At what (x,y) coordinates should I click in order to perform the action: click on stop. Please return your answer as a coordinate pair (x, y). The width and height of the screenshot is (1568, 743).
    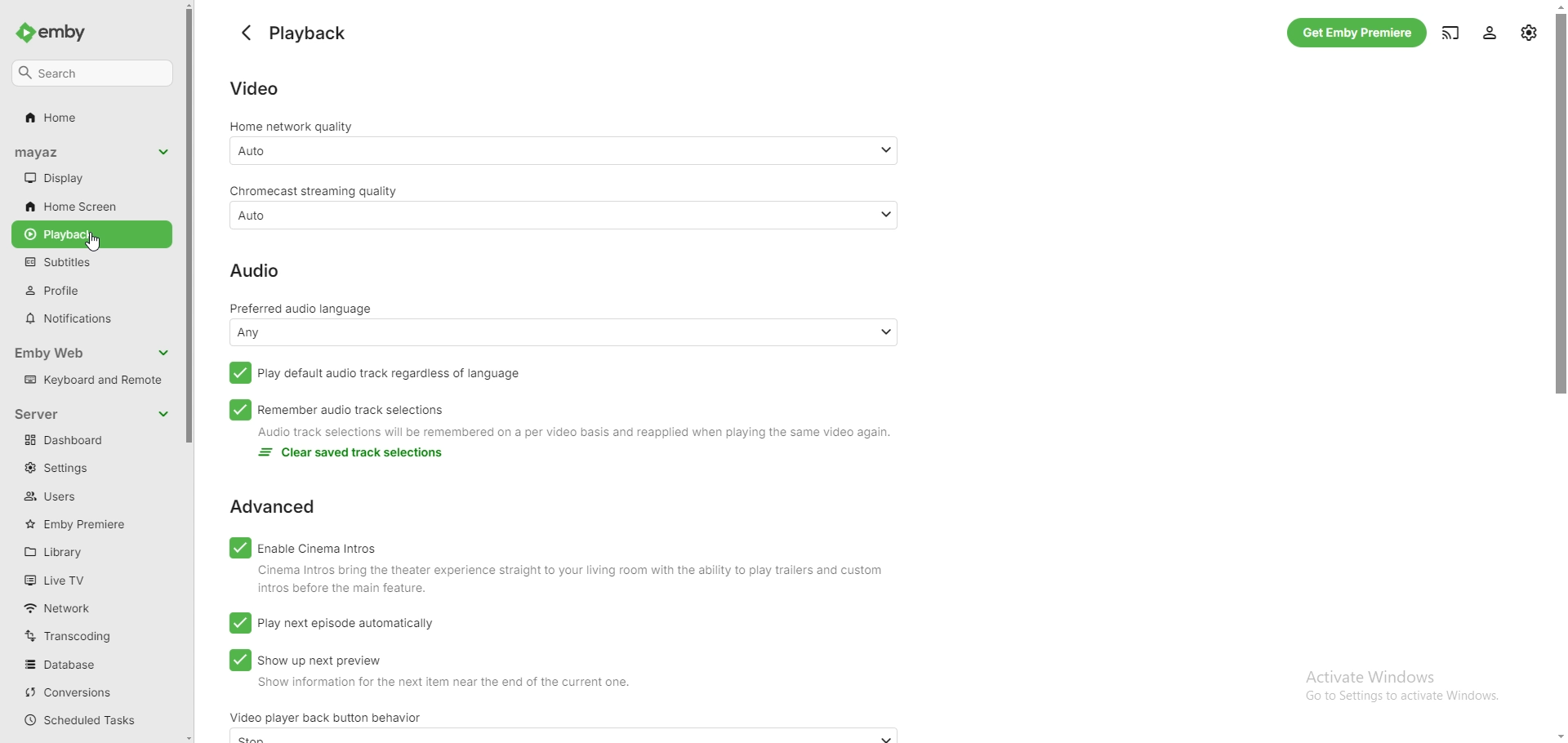
    Looking at the image, I should click on (558, 737).